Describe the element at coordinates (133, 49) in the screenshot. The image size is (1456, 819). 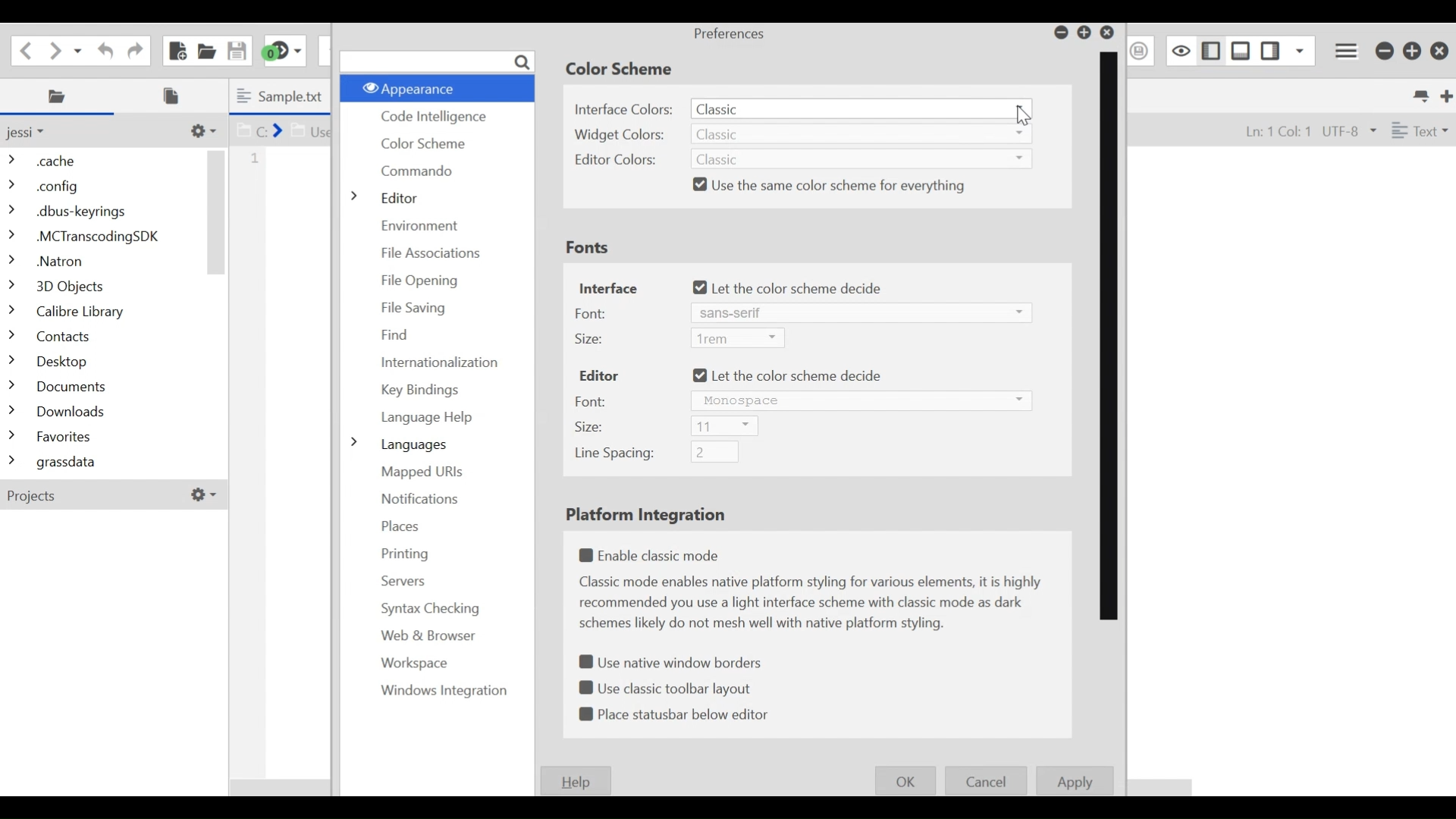
I see `Redo` at that location.